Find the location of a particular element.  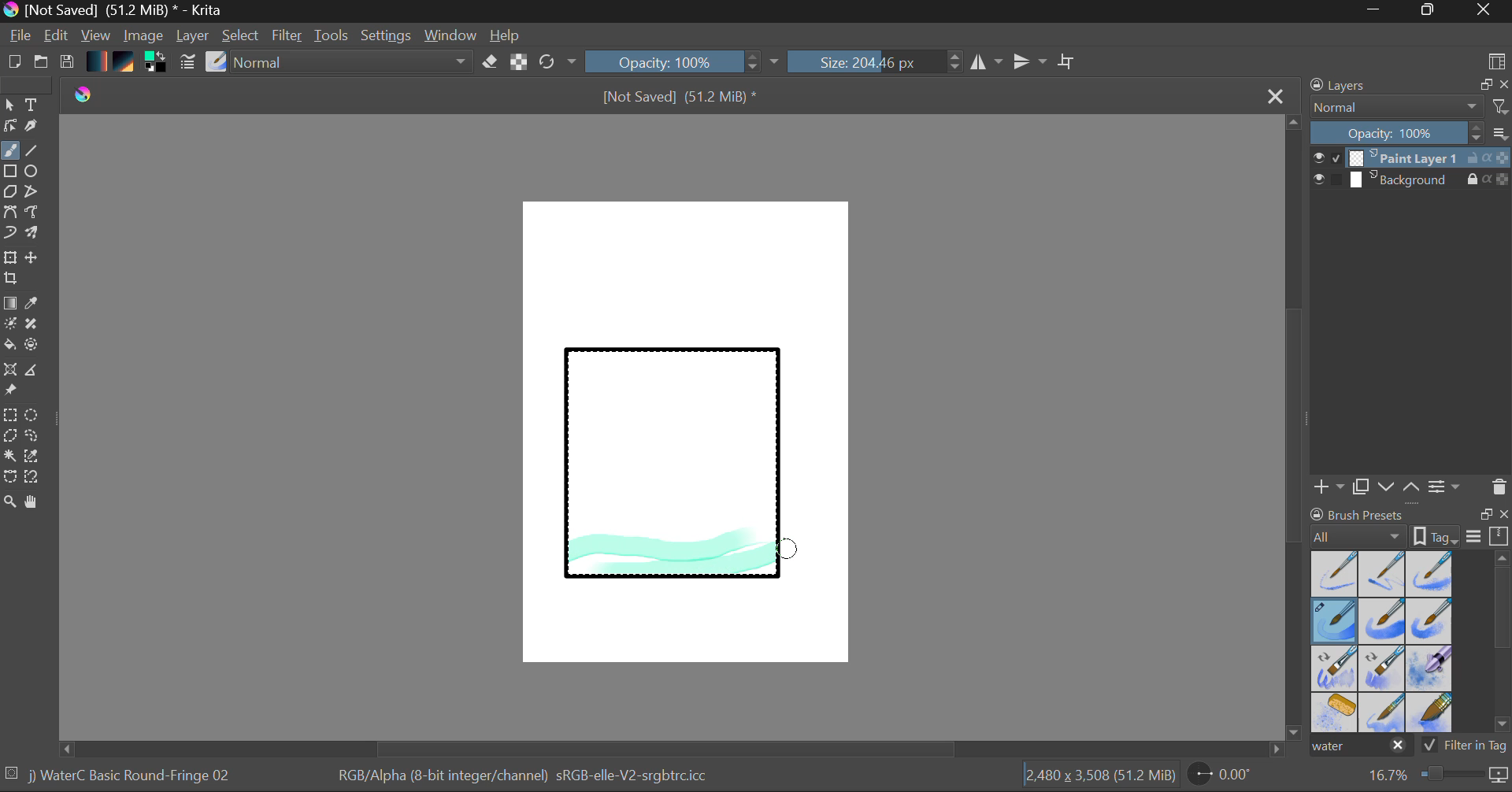

Zoom is located at coordinates (10, 503).